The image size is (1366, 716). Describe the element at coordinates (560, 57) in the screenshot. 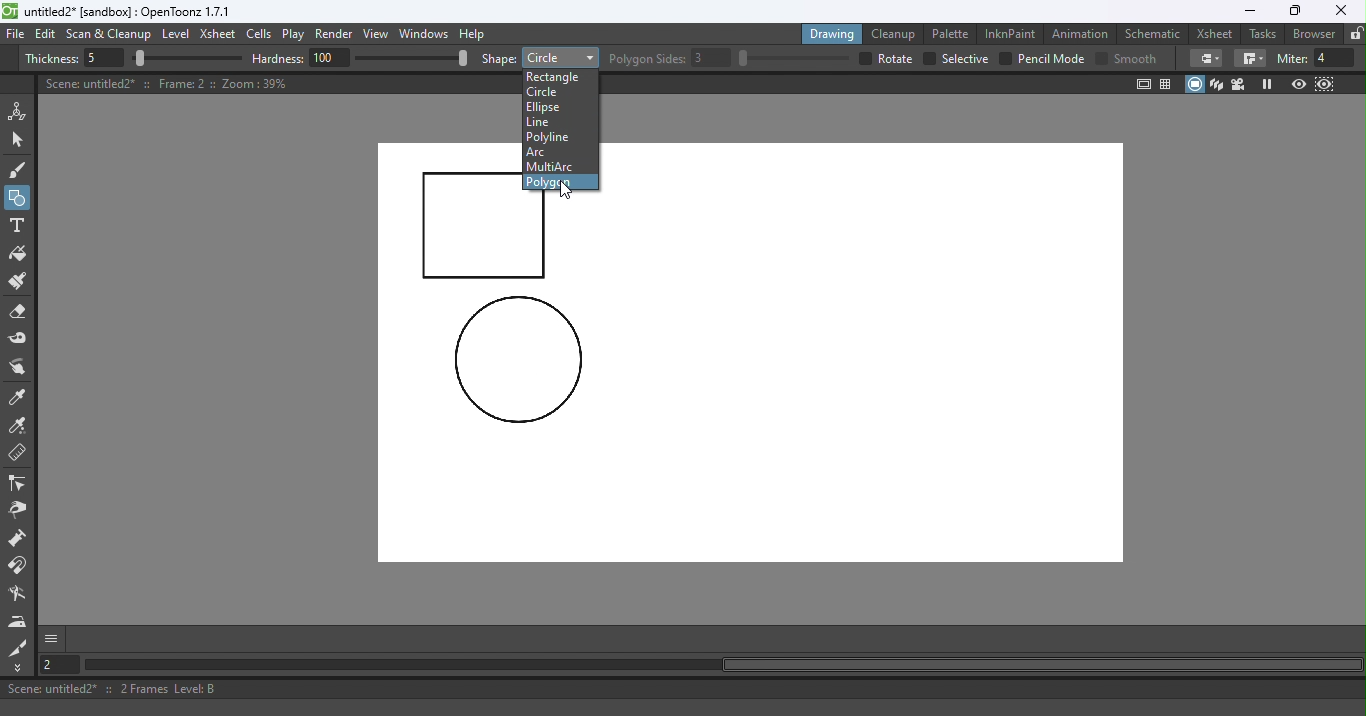

I see `Rectangle ` at that location.